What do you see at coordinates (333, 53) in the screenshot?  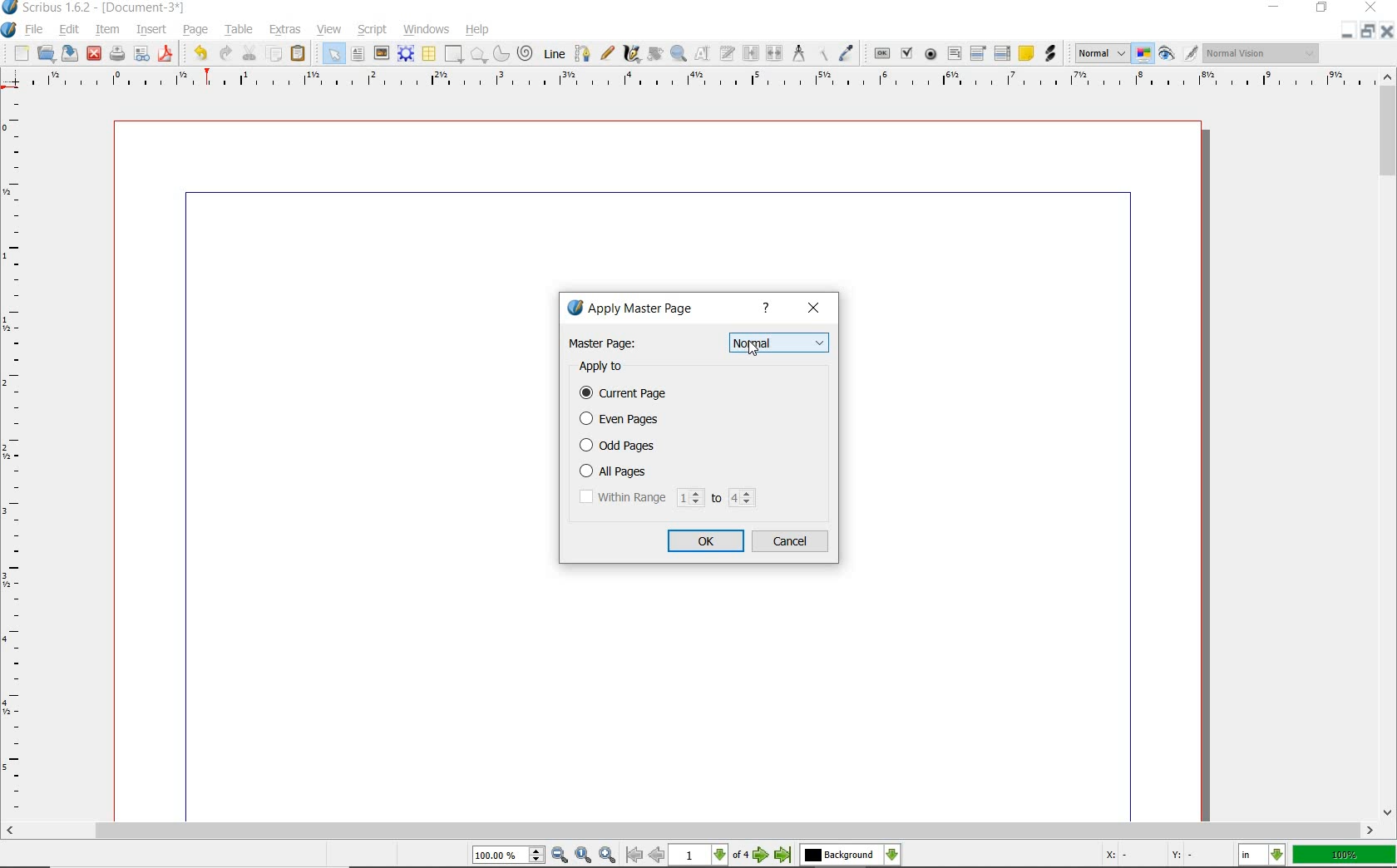 I see `select` at bounding box center [333, 53].